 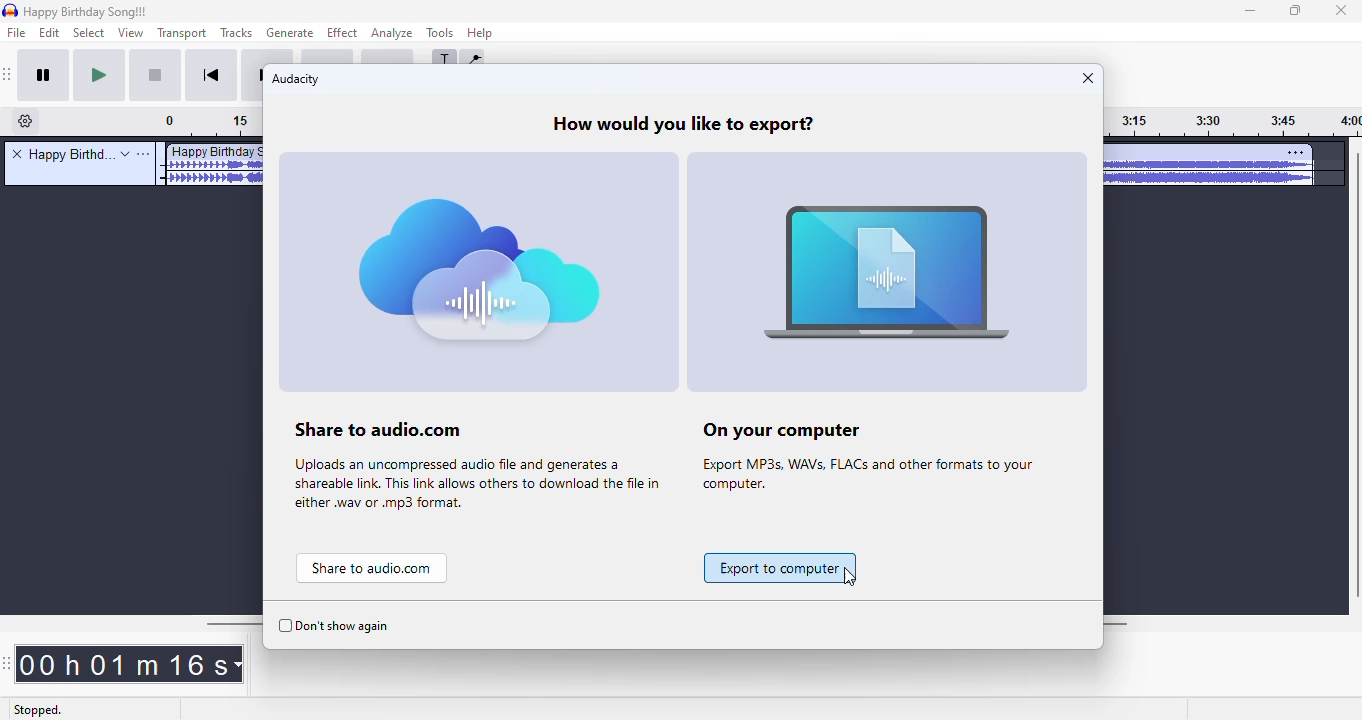 I want to click on 00 h 01 m 16 s, so click(x=130, y=664).